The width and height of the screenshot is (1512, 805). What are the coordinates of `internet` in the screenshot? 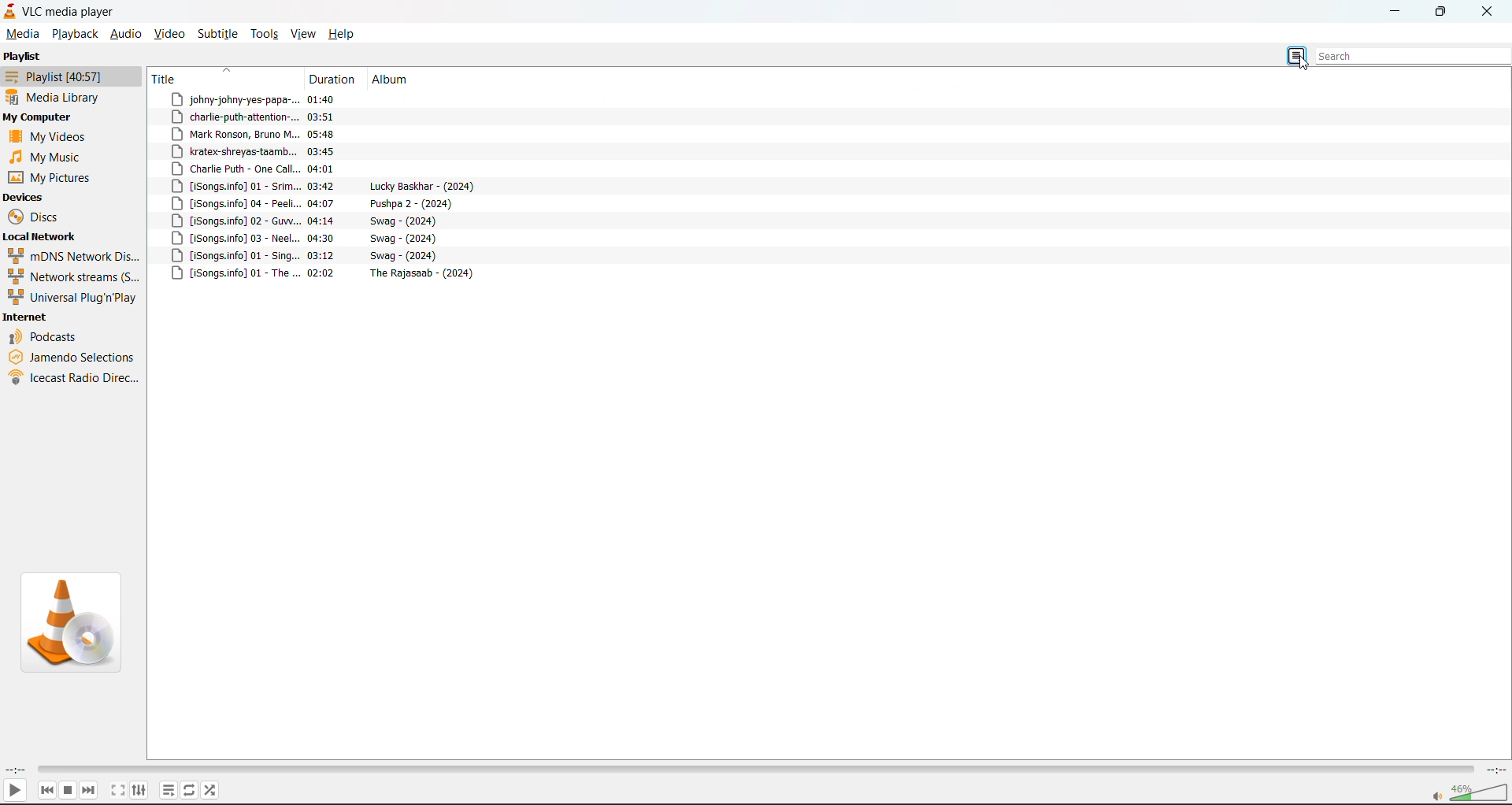 It's located at (25, 318).